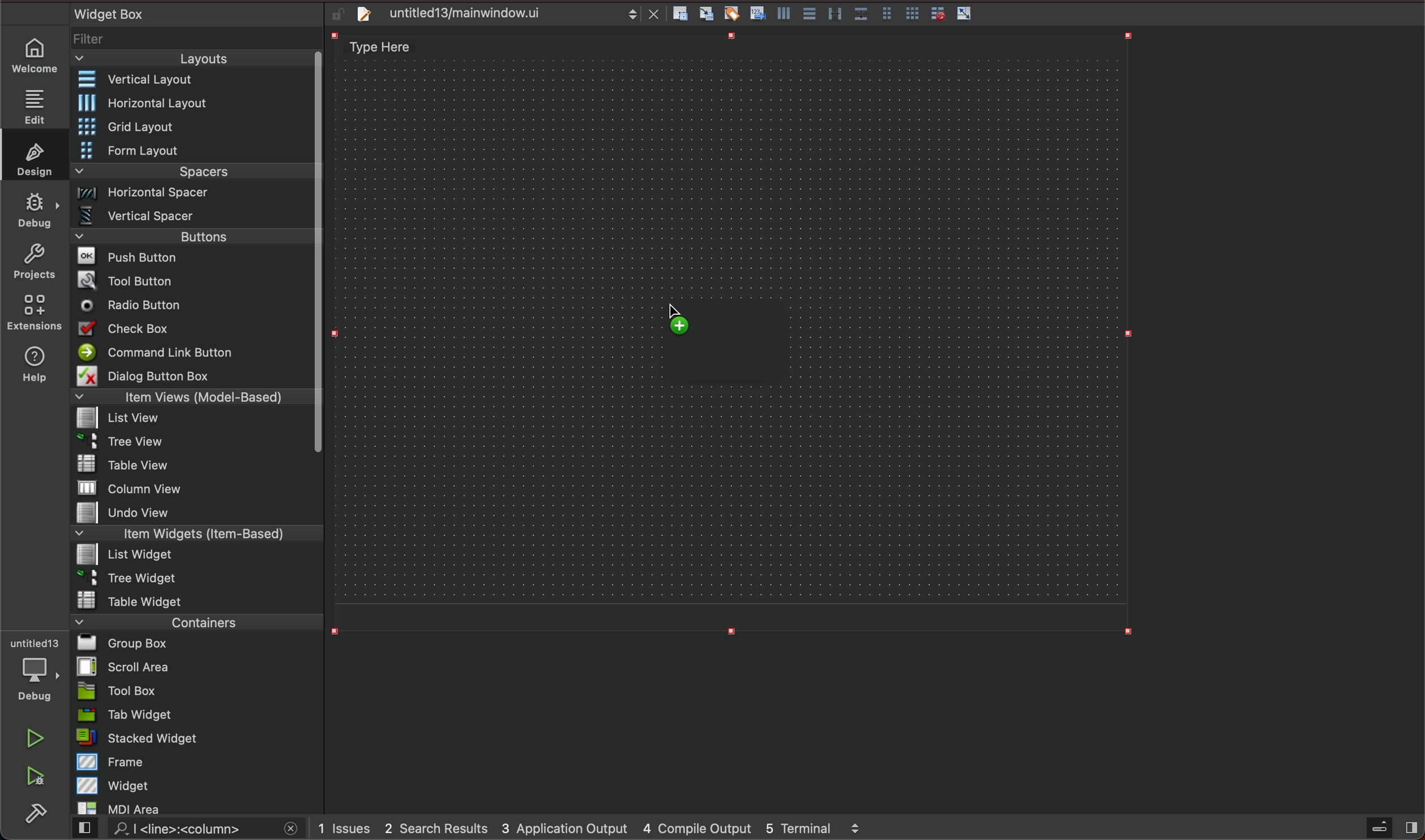 The width and height of the screenshot is (1425, 840). What do you see at coordinates (106, 14) in the screenshot?
I see `widget` at bounding box center [106, 14].